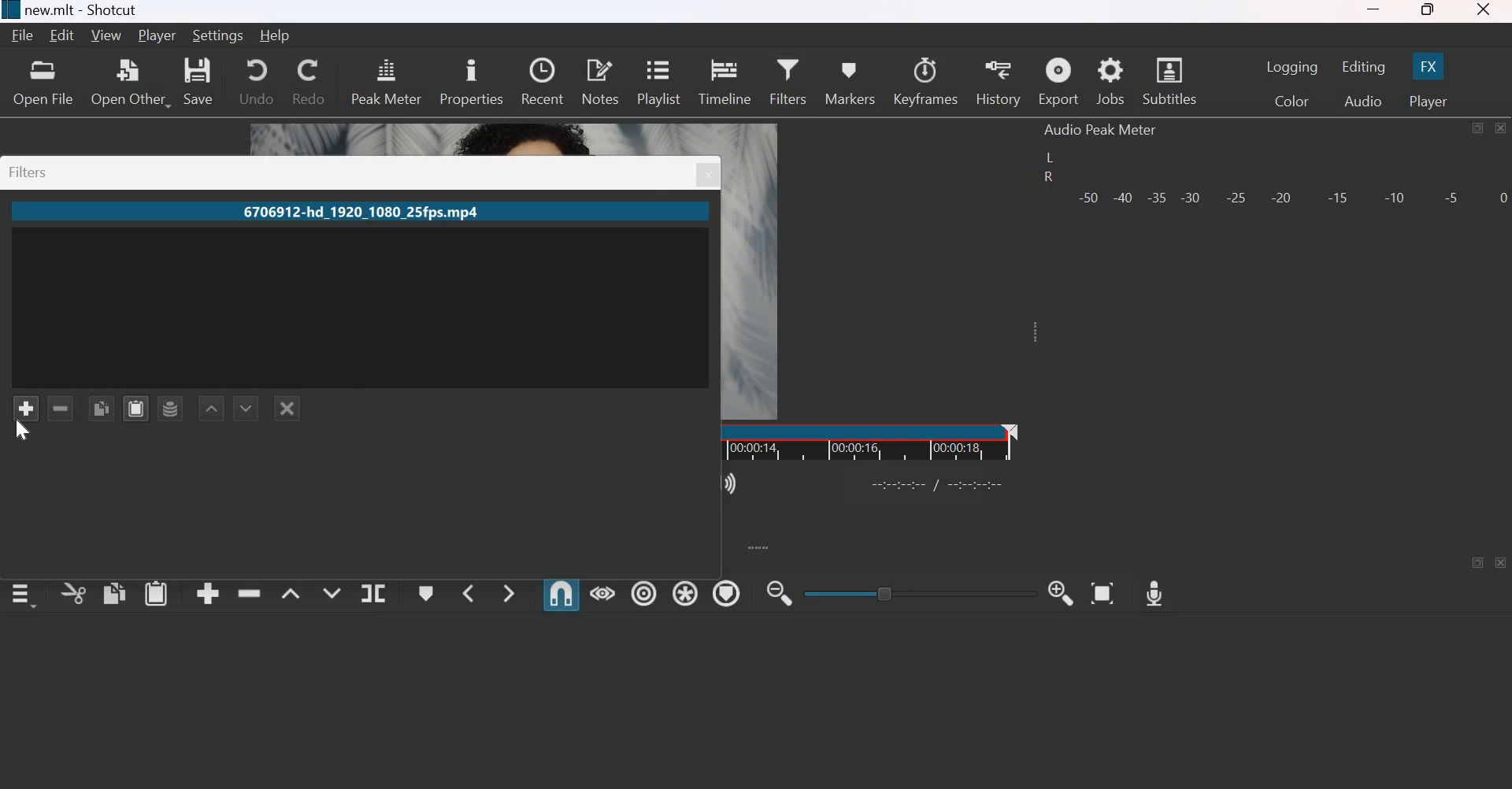 Image resolution: width=1512 pixels, height=789 pixels. Describe the element at coordinates (280, 34) in the screenshot. I see `Help` at that location.